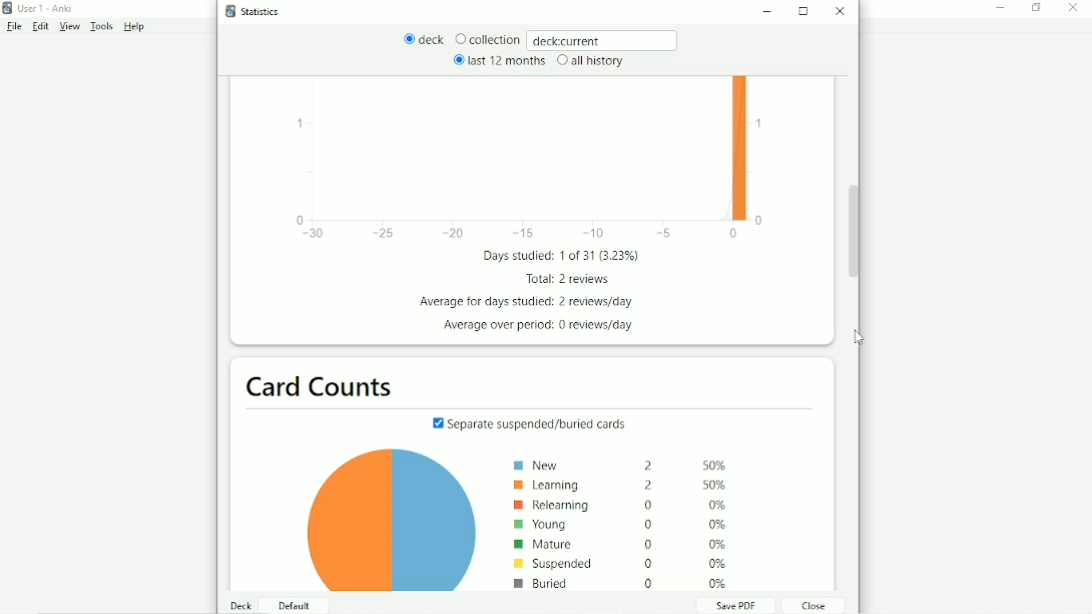 The width and height of the screenshot is (1092, 614). Describe the element at coordinates (103, 27) in the screenshot. I see `Tools` at that location.